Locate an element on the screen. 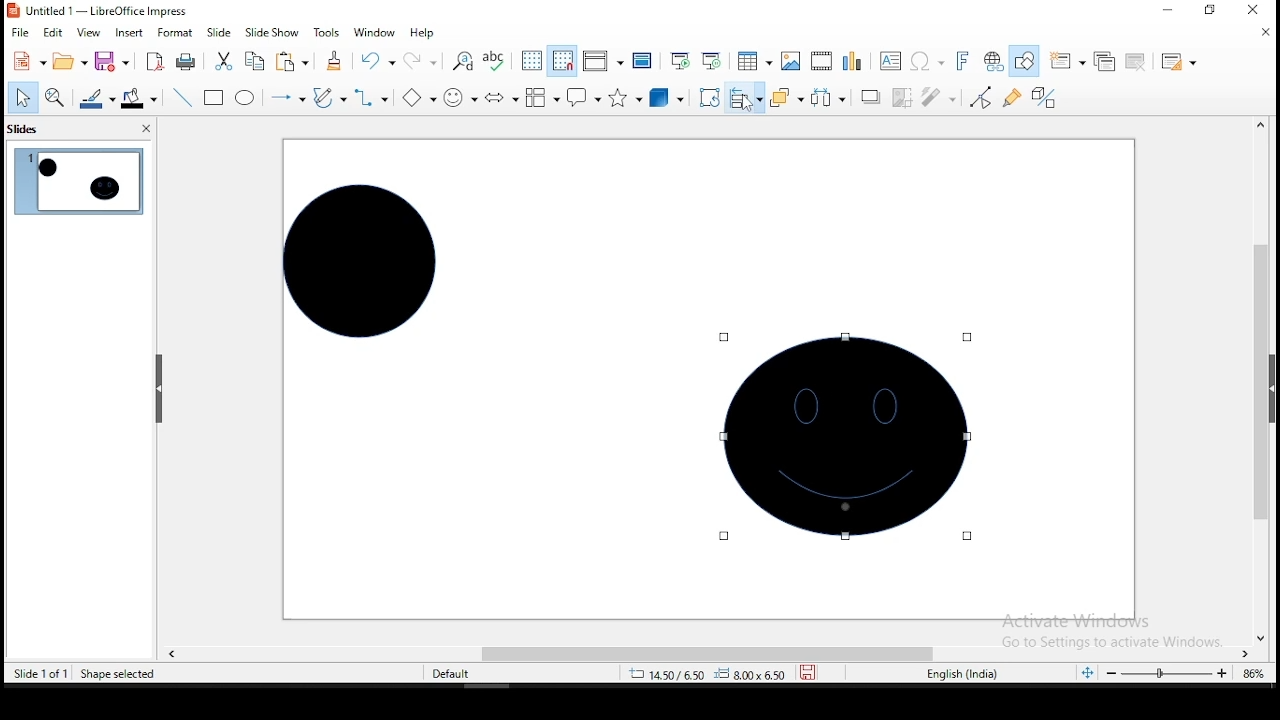 This screenshot has width=1280, height=720. tables is located at coordinates (754, 64).